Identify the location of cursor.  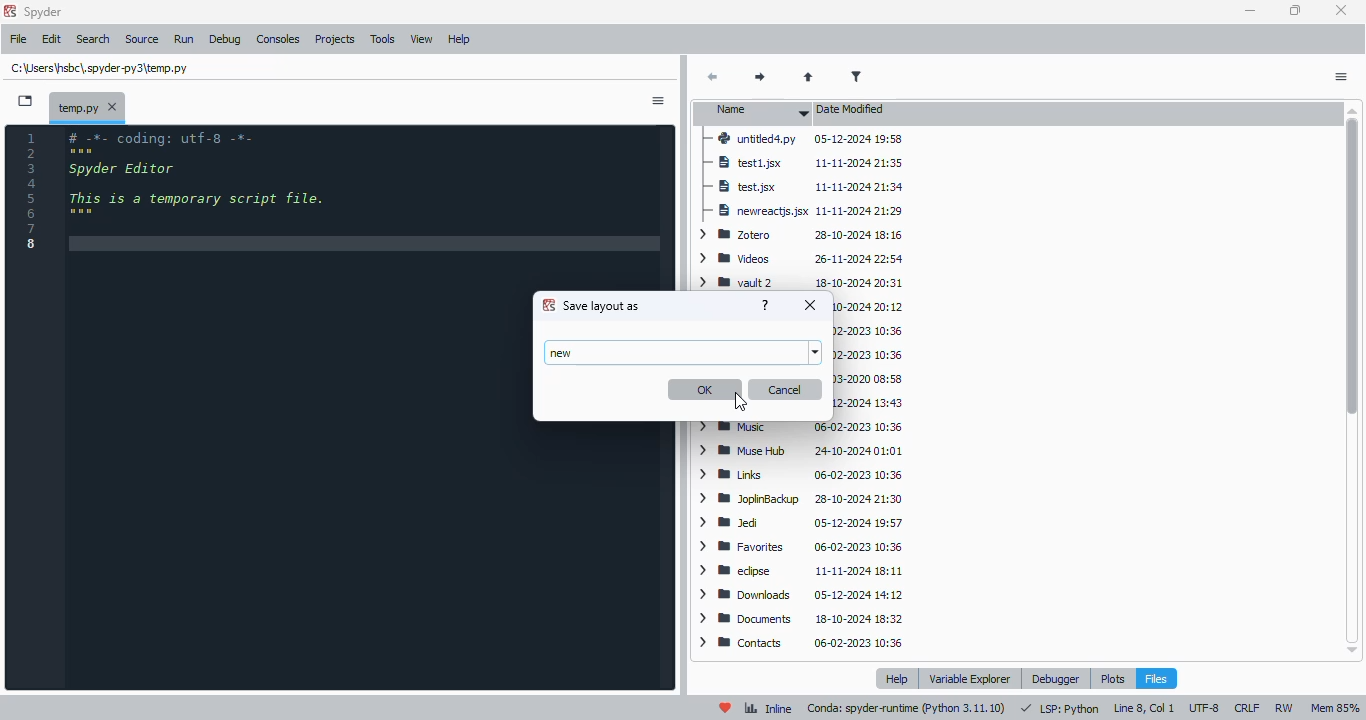
(740, 401).